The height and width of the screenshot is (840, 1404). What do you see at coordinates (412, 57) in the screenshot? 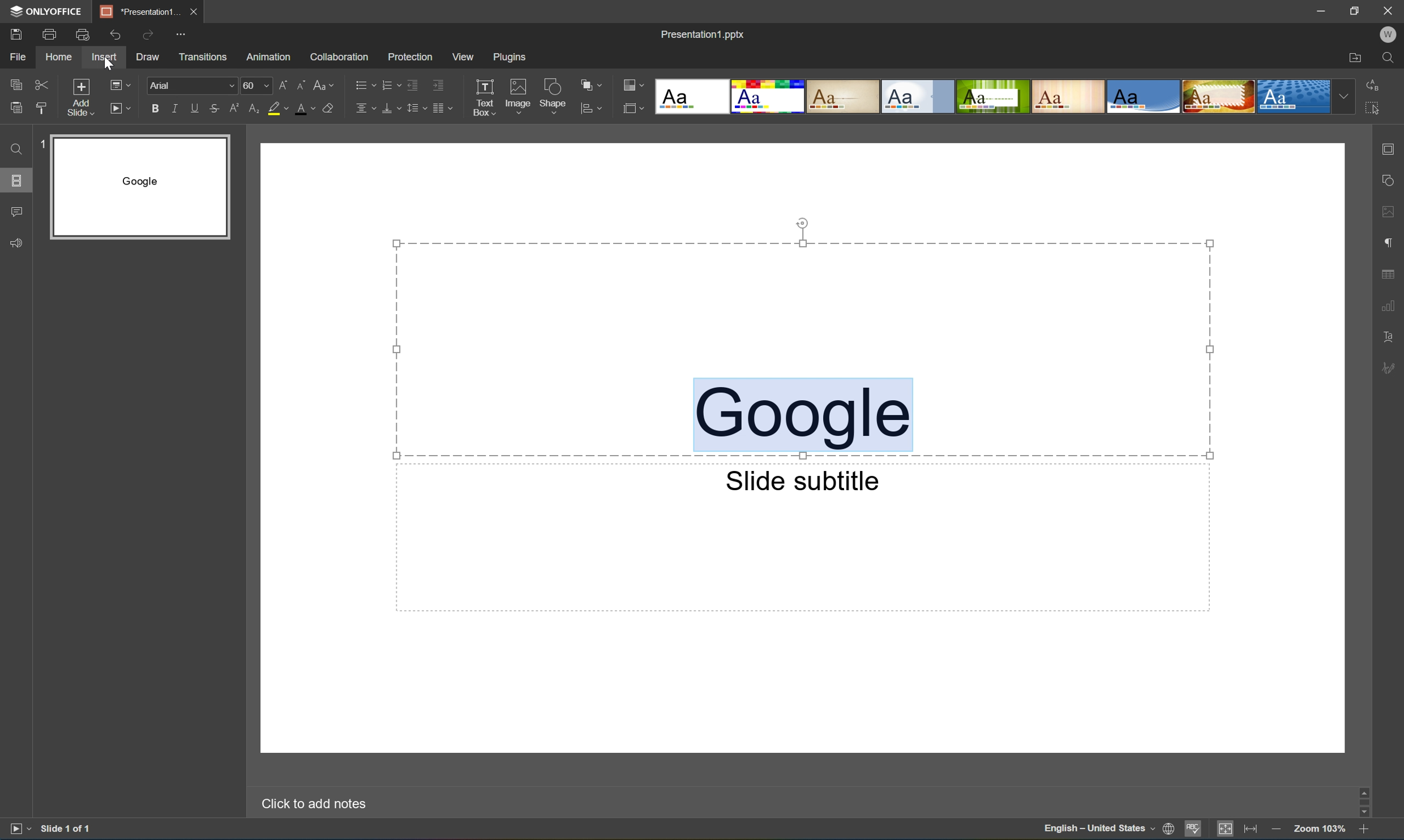
I see `Protection` at bounding box center [412, 57].